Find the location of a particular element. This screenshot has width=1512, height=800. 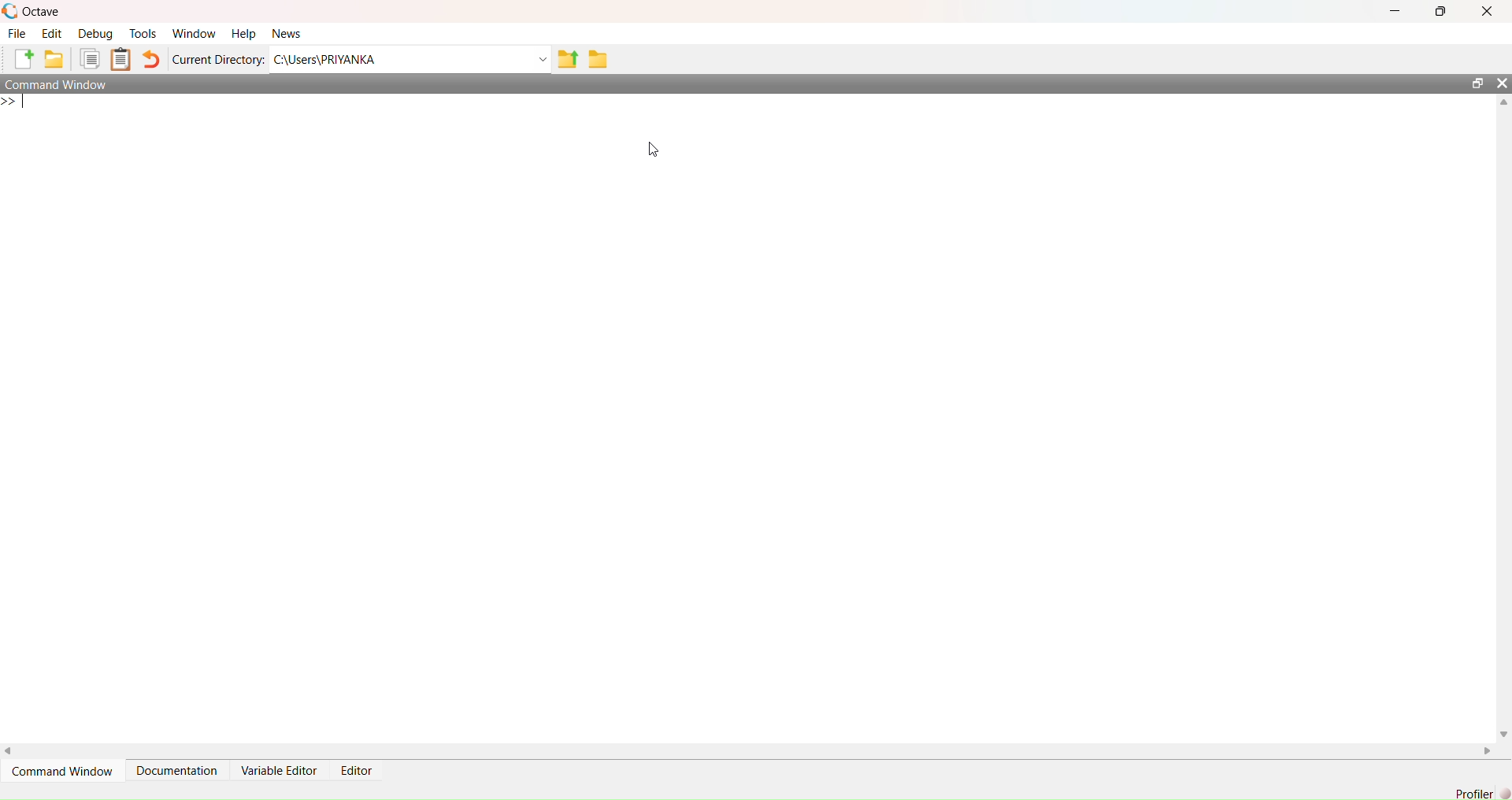

one directory up is located at coordinates (568, 58).